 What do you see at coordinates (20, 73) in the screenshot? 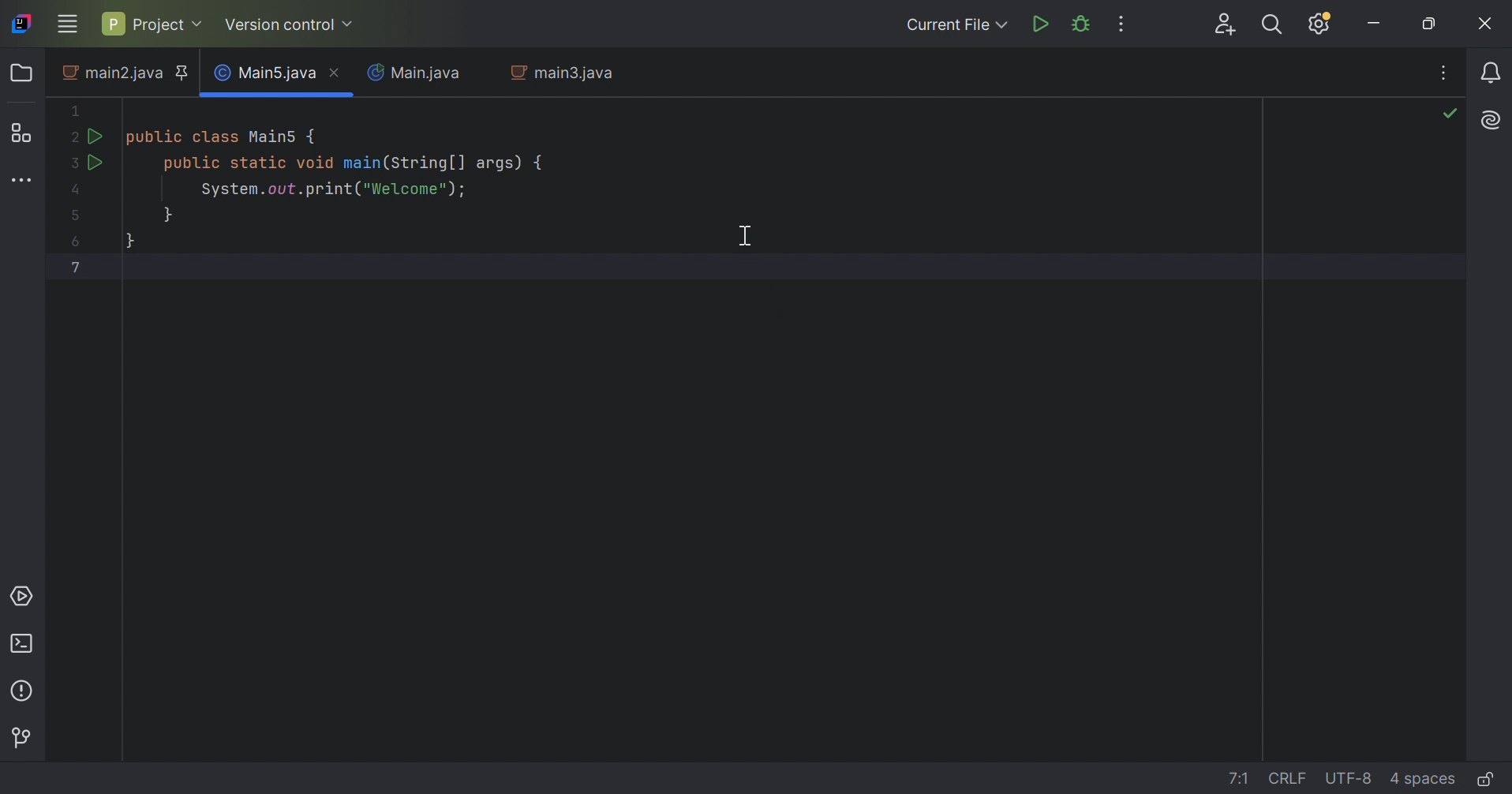
I see `Folder icon` at bounding box center [20, 73].